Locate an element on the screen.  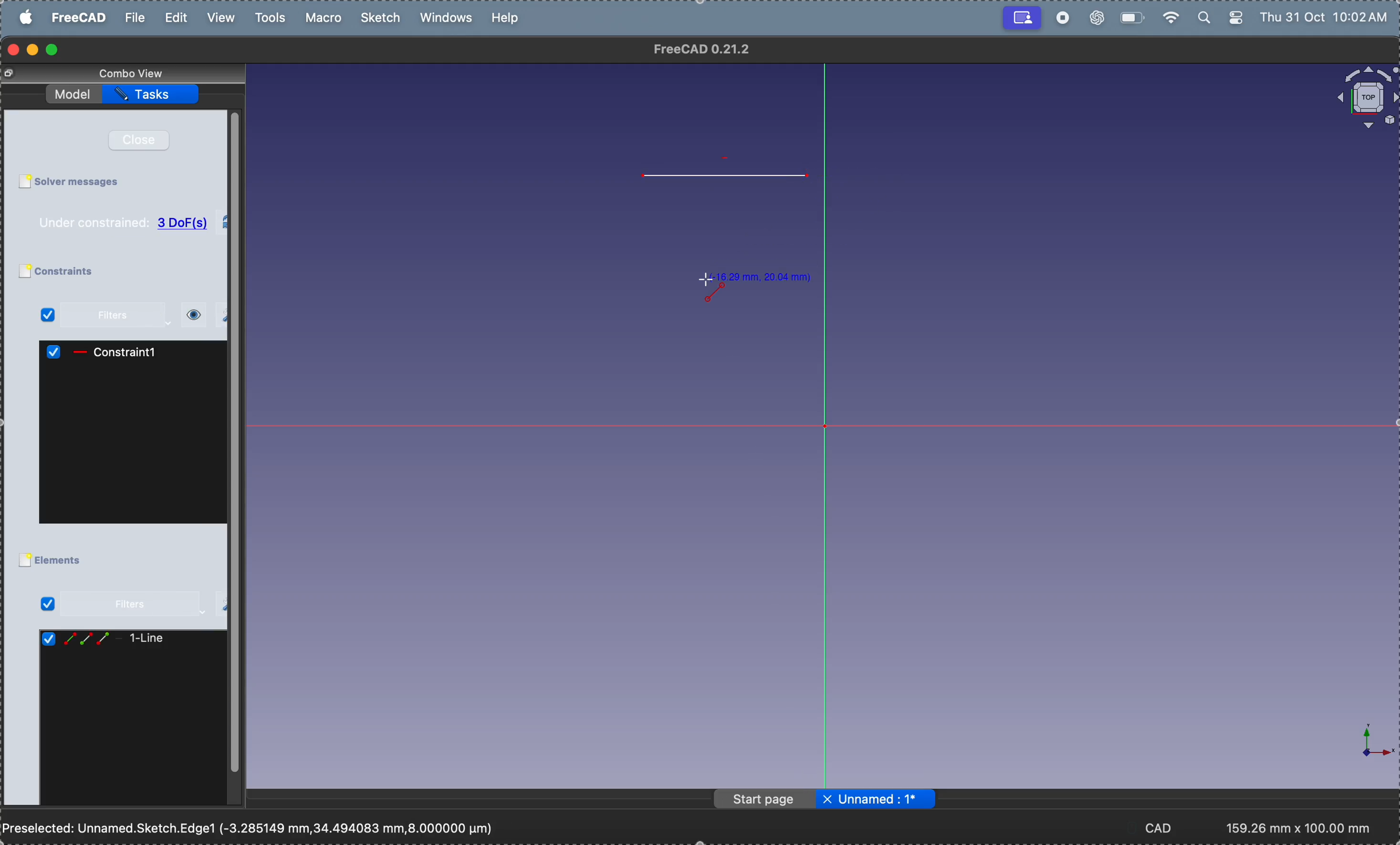
minimize is located at coordinates (35, 50).